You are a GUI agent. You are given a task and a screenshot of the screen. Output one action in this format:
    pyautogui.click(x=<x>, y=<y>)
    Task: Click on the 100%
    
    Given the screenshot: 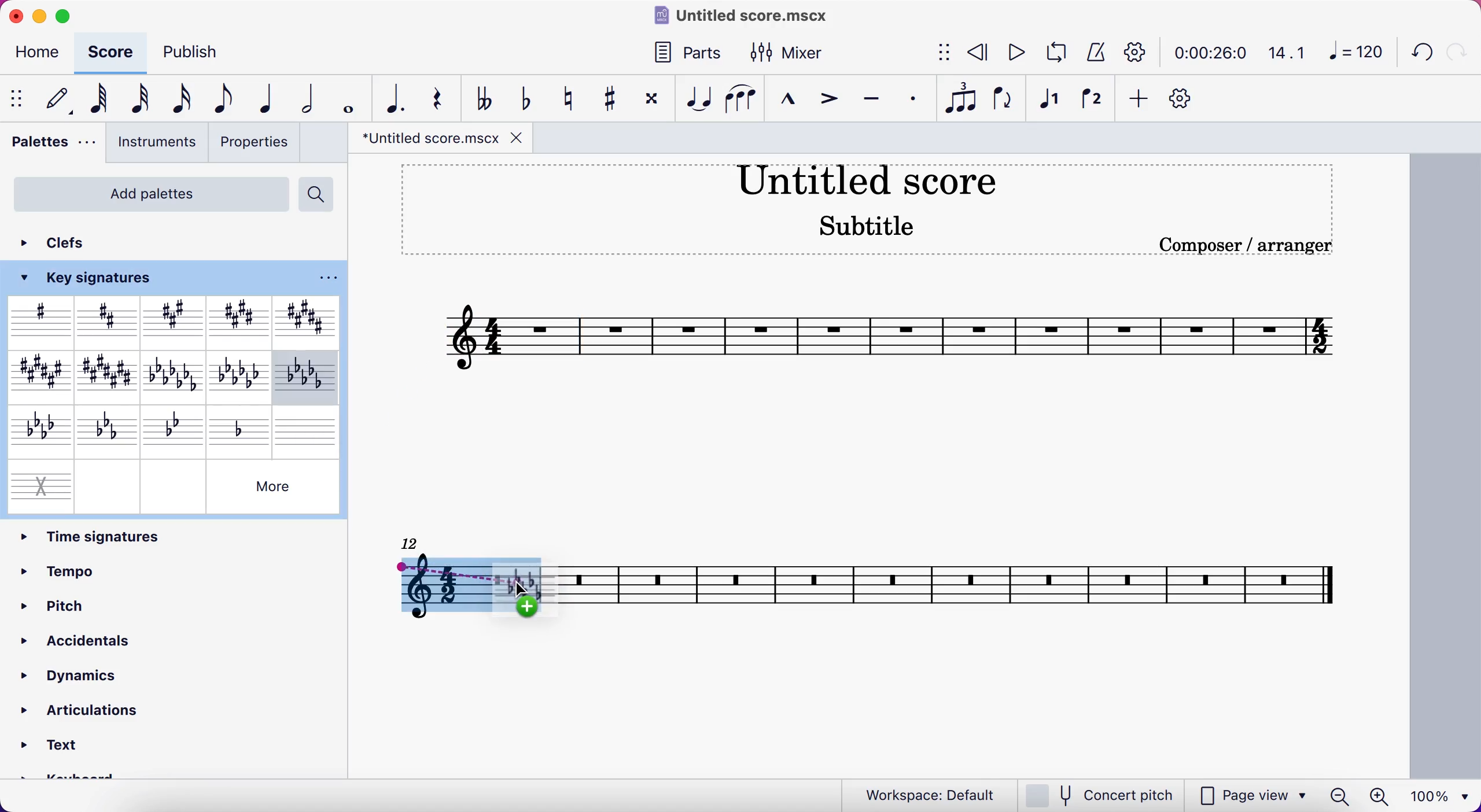 What is the action you would take?
    pyautogui.click(x=1442, y=796)
    